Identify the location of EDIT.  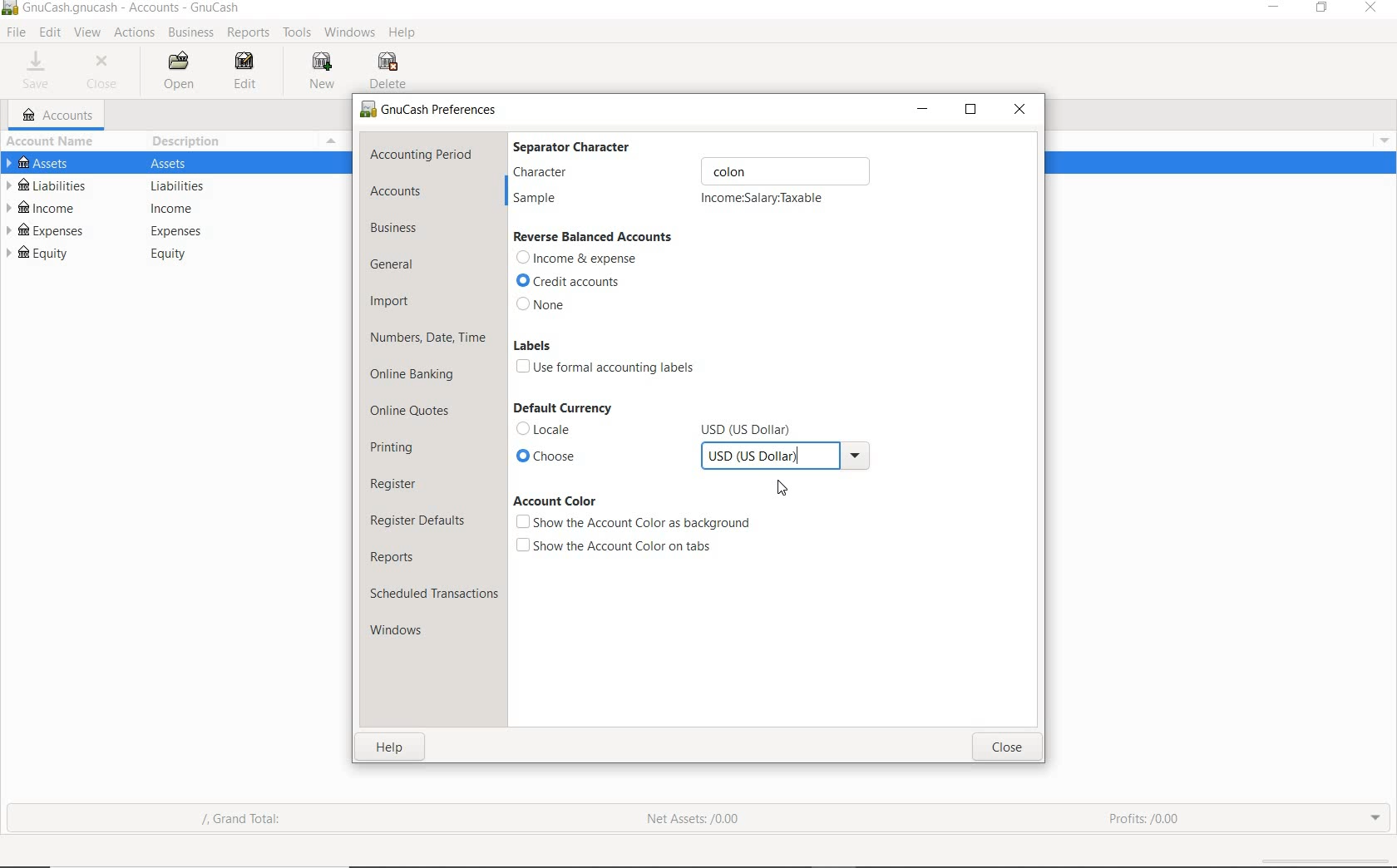
(244, 70).